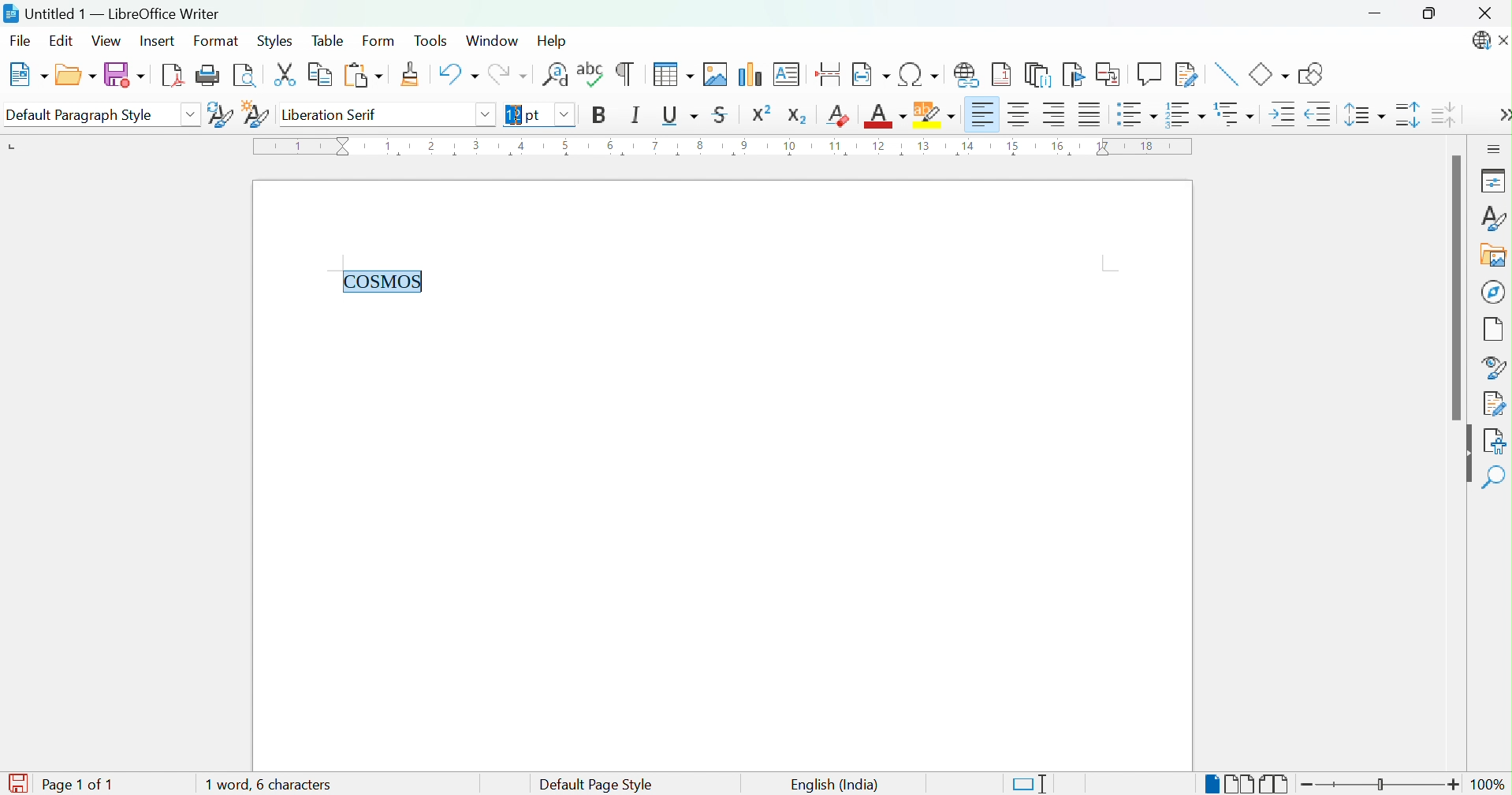  Describe the element at coordinates (723, 151) in the screenshot. I see `Ruler` at that location.